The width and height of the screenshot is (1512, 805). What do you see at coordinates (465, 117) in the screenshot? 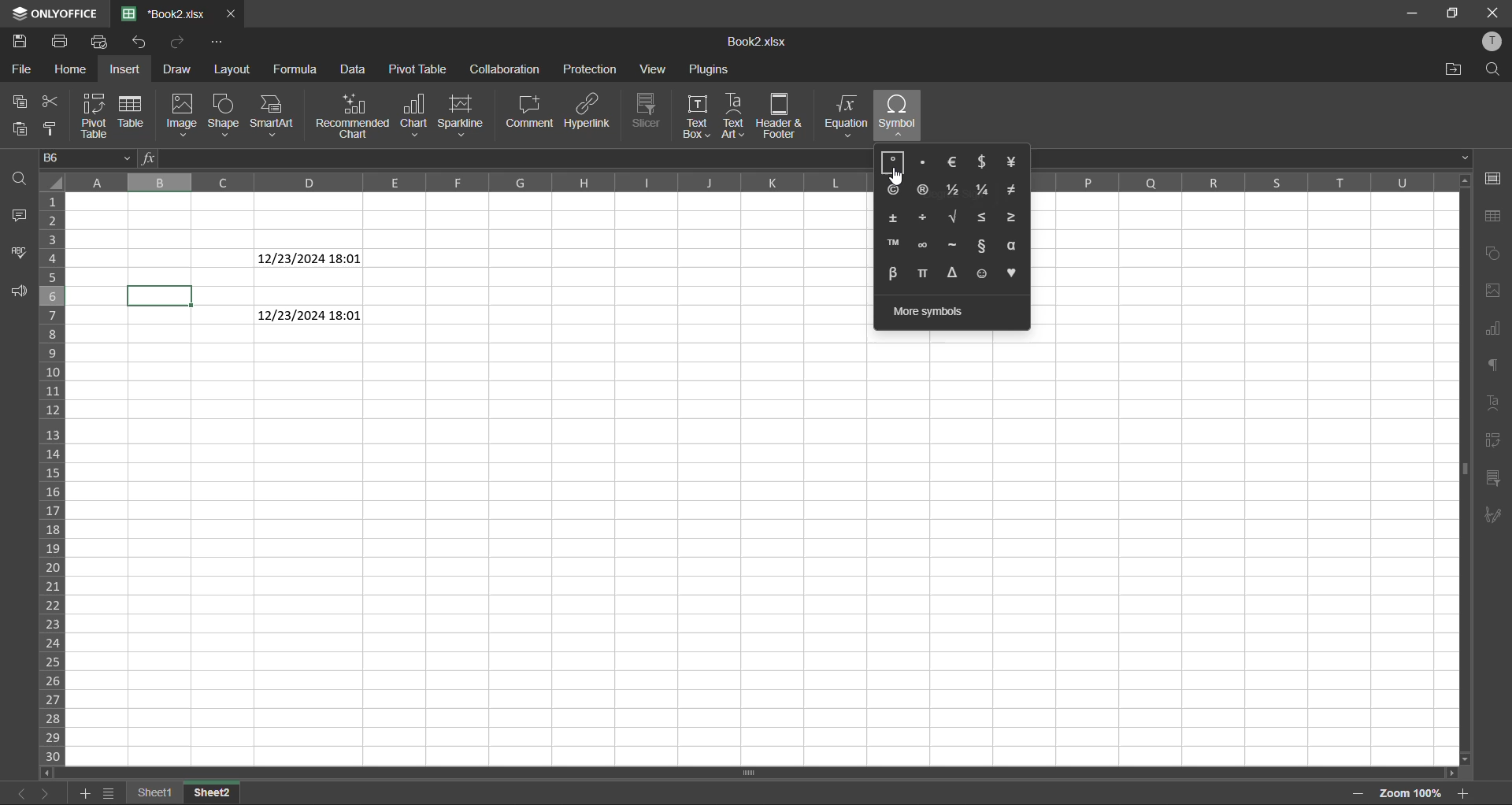
I see `sparkline` at bounding box center [465, 117].